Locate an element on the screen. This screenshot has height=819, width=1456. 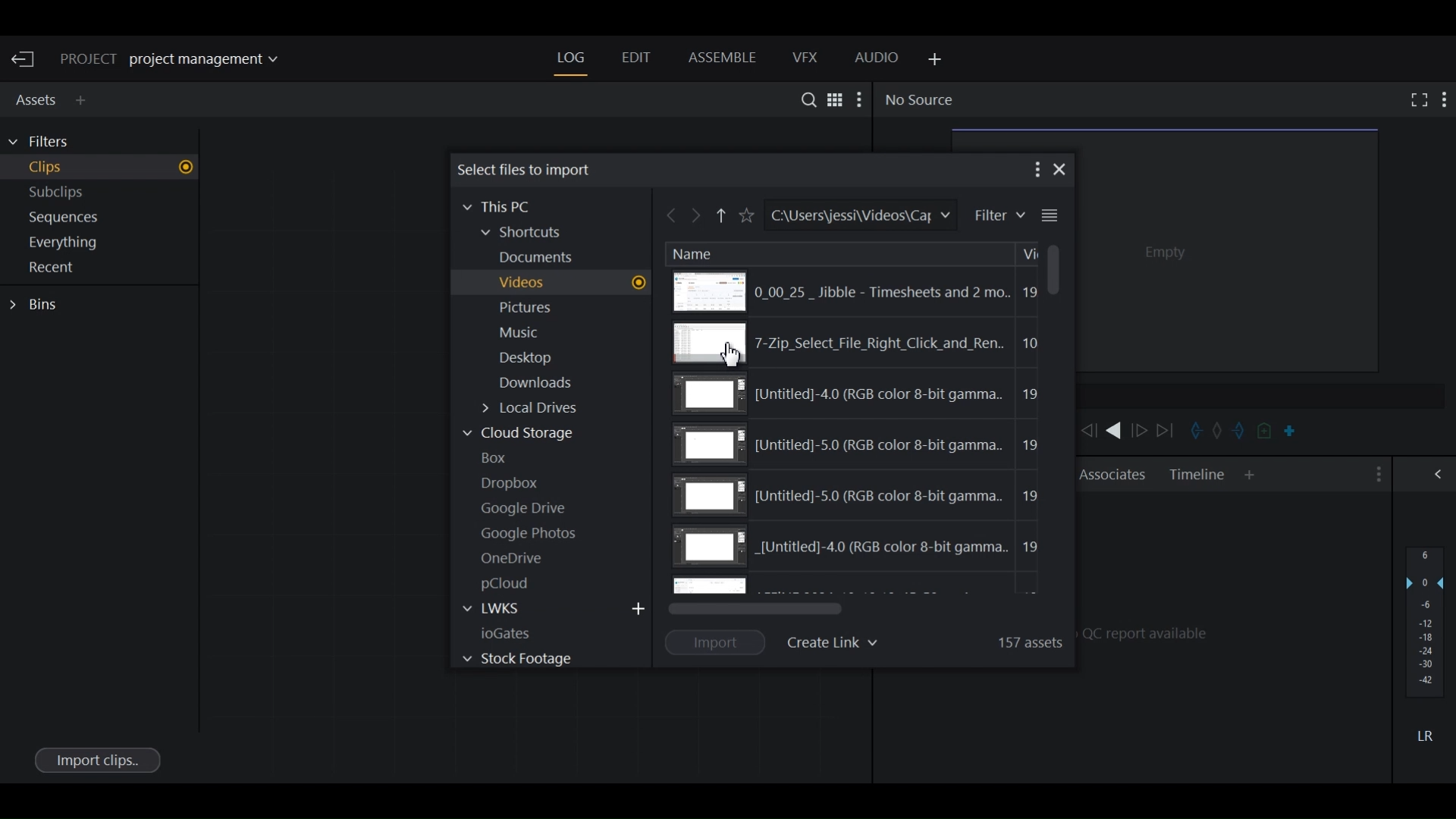
Click to go forward is located at coordinates (698, 218).